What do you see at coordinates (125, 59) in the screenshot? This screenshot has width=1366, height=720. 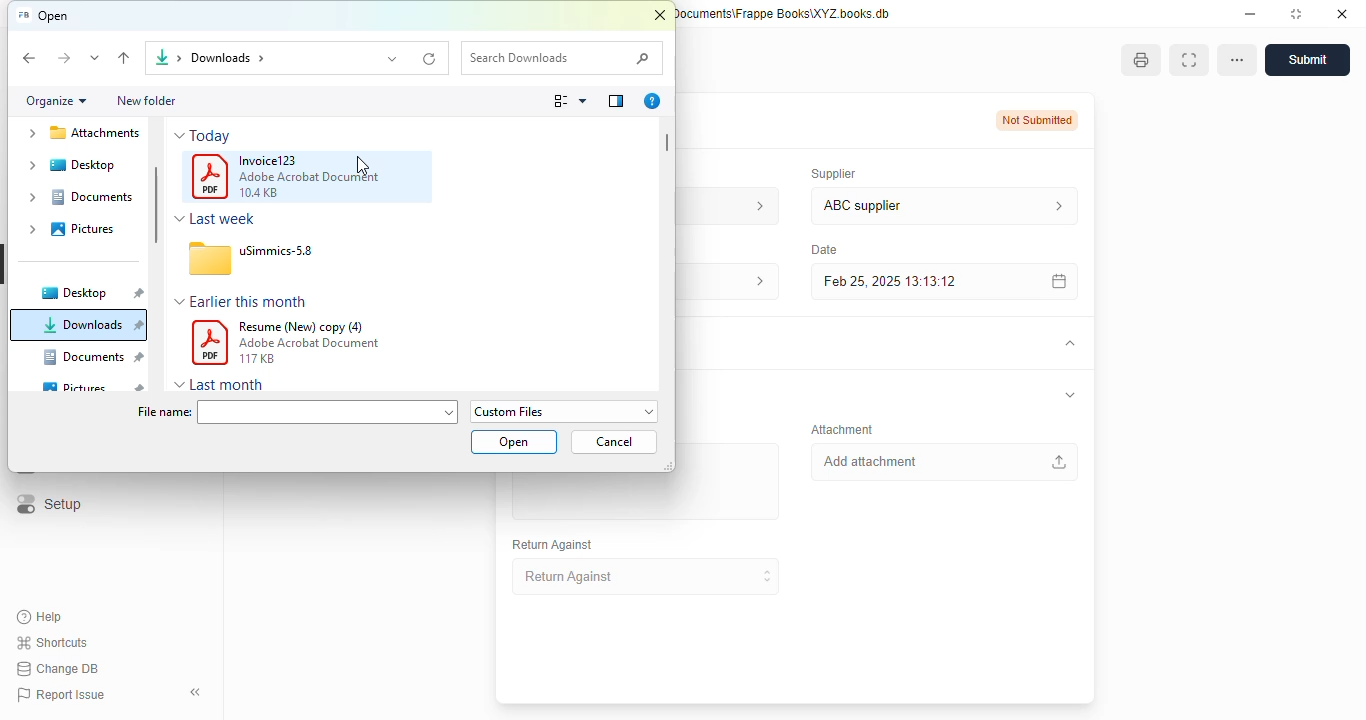 I see `up to "desktop"` at bounding box center [125, 59].